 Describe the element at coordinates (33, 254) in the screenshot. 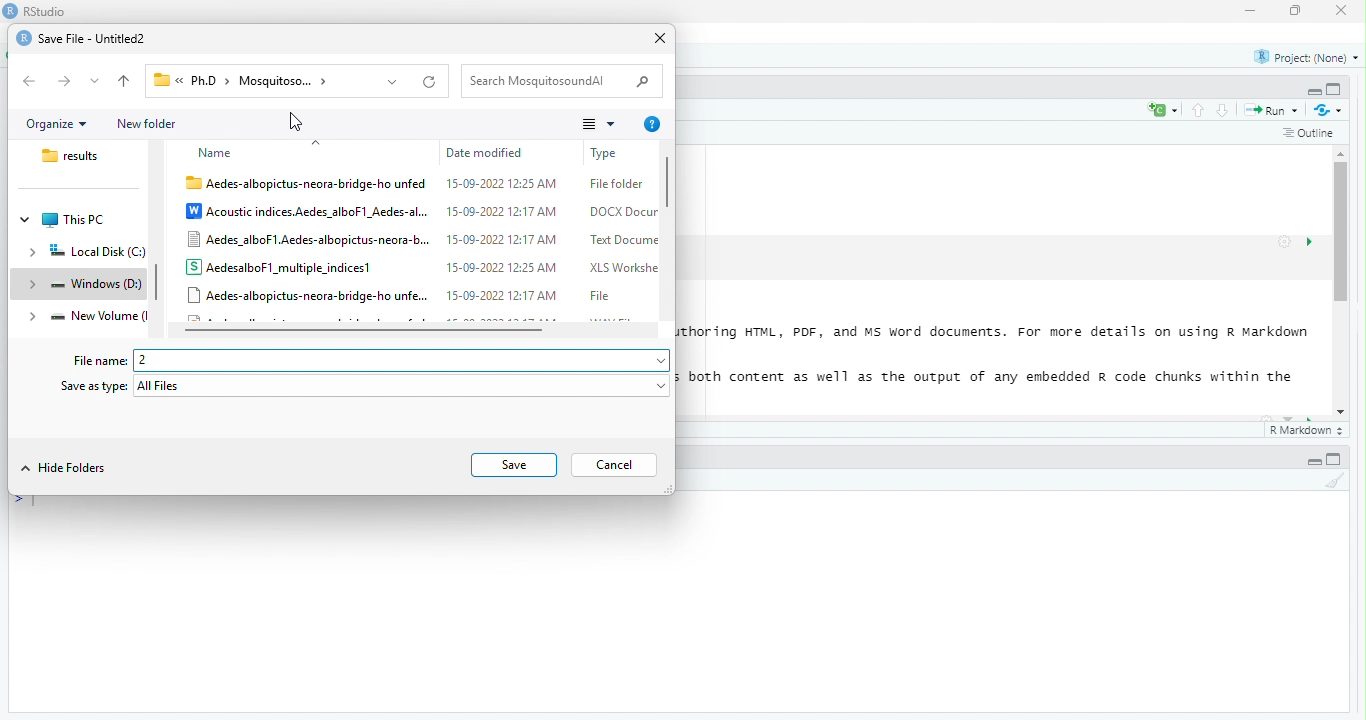

I see `expand` at that location.